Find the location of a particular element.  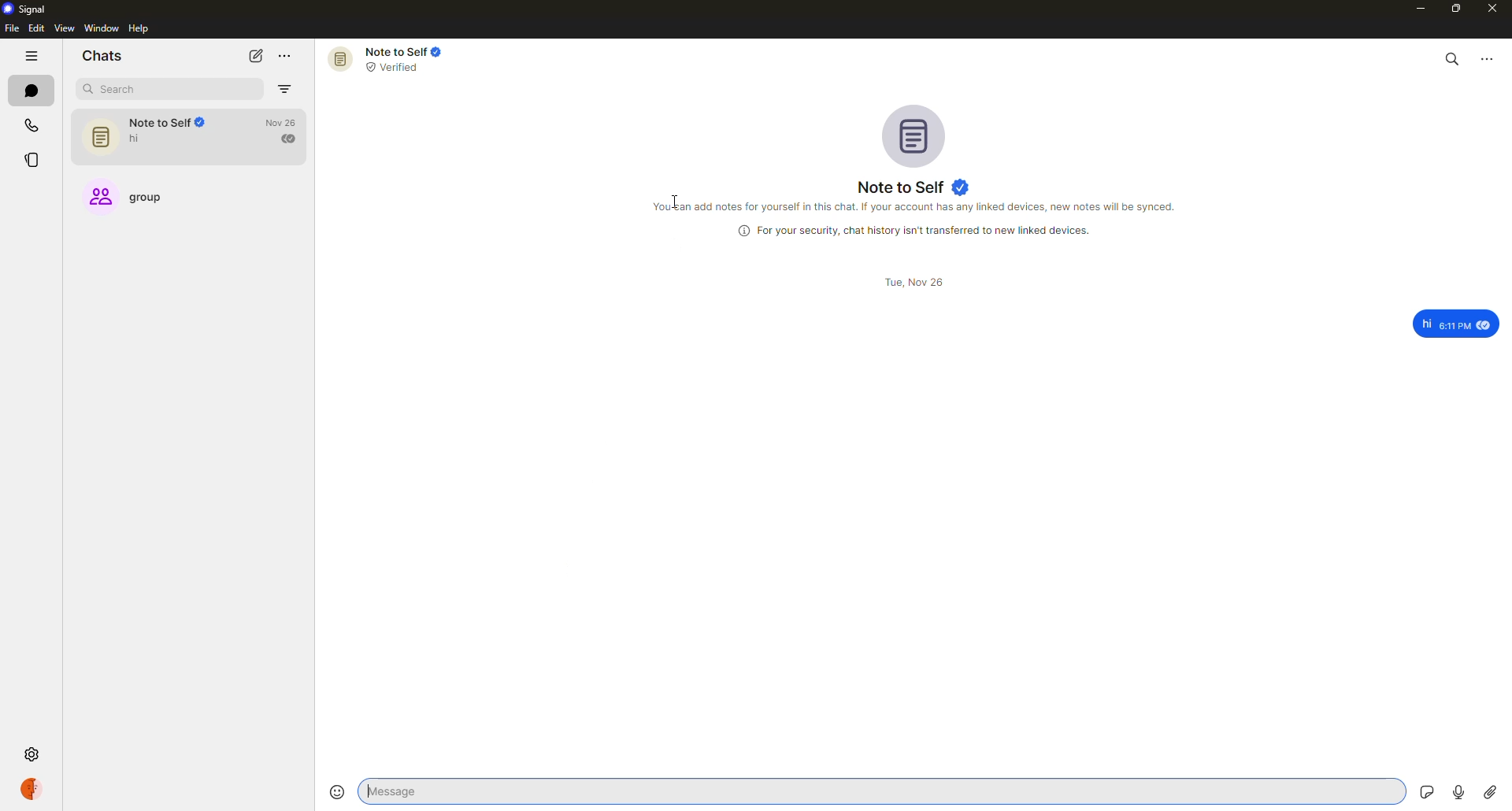

hide tabs is located at coordinates (31, 57).